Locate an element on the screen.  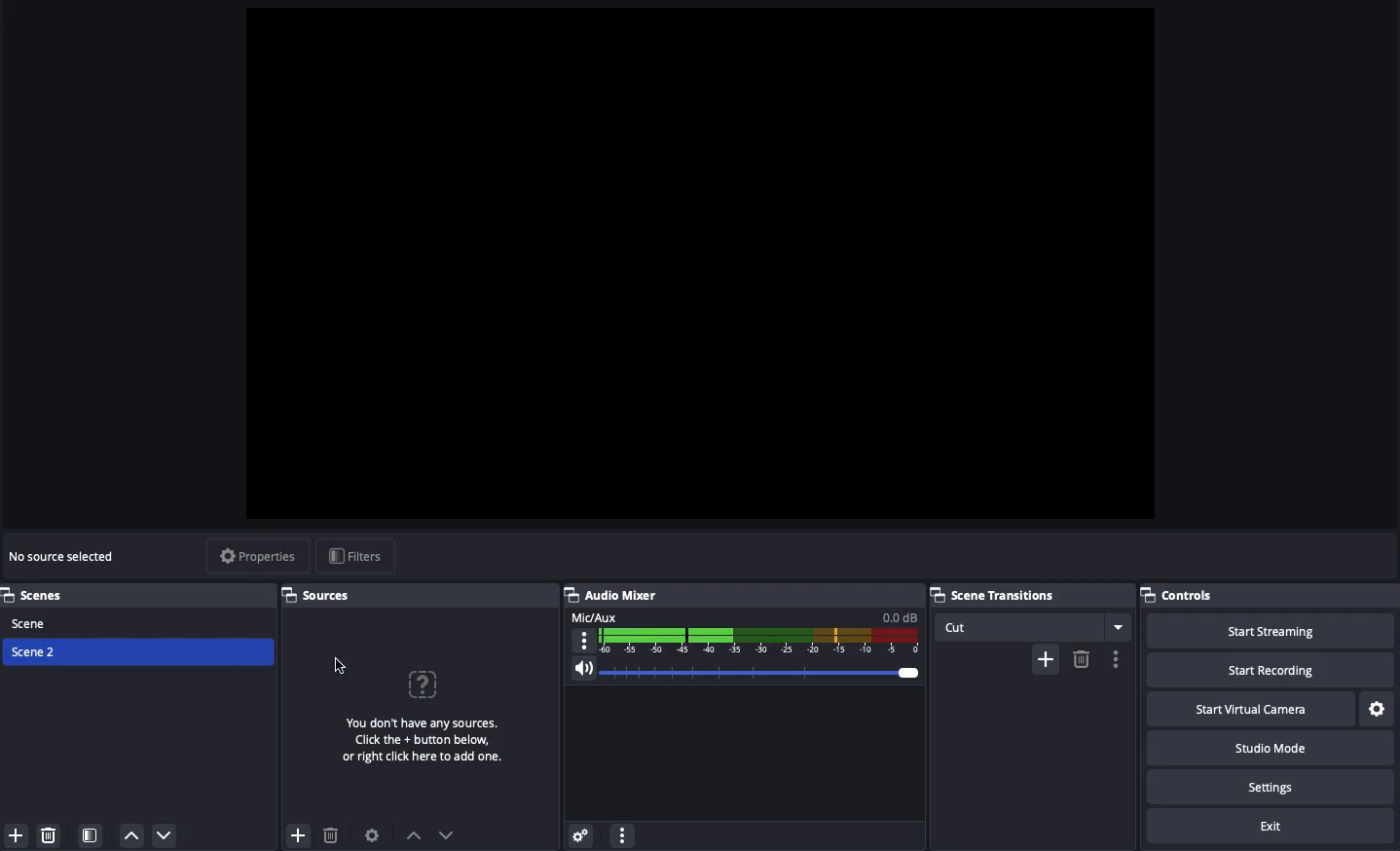
delete is located at coordinates (1081, 658).